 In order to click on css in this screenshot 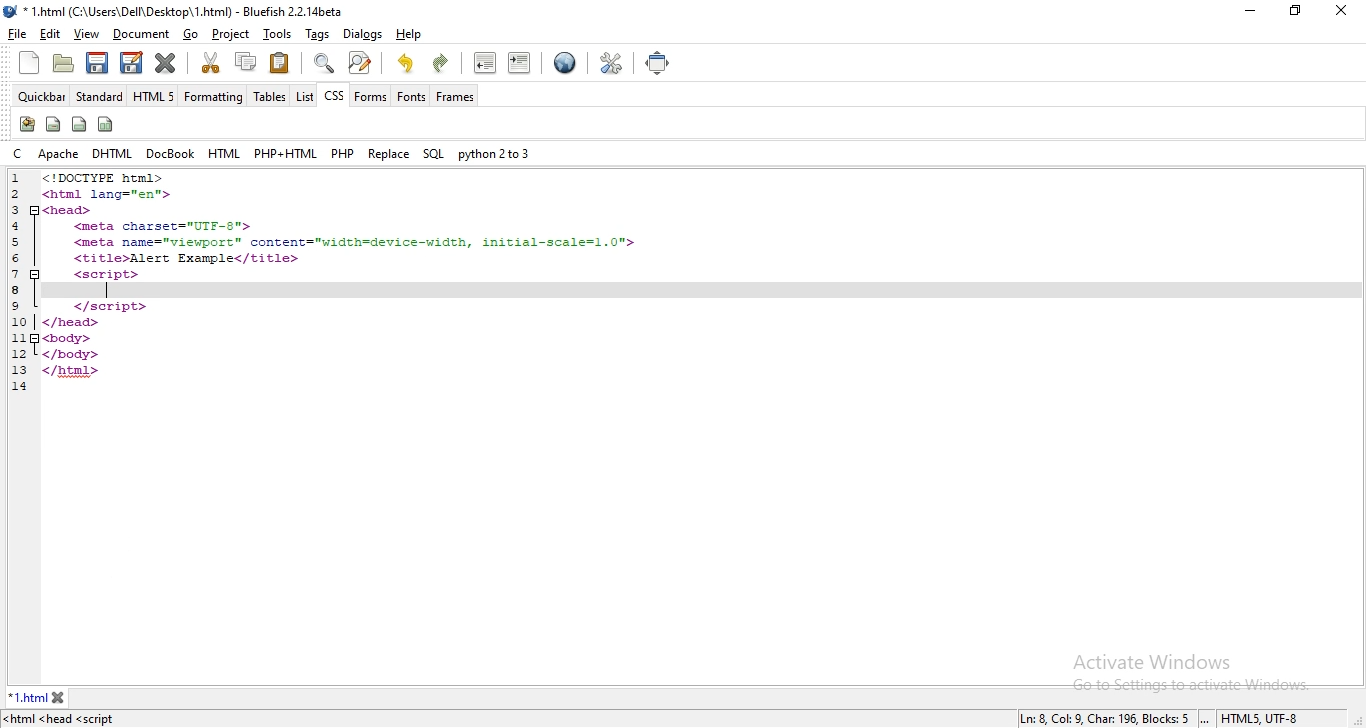, I will do `click(333, 96)`.